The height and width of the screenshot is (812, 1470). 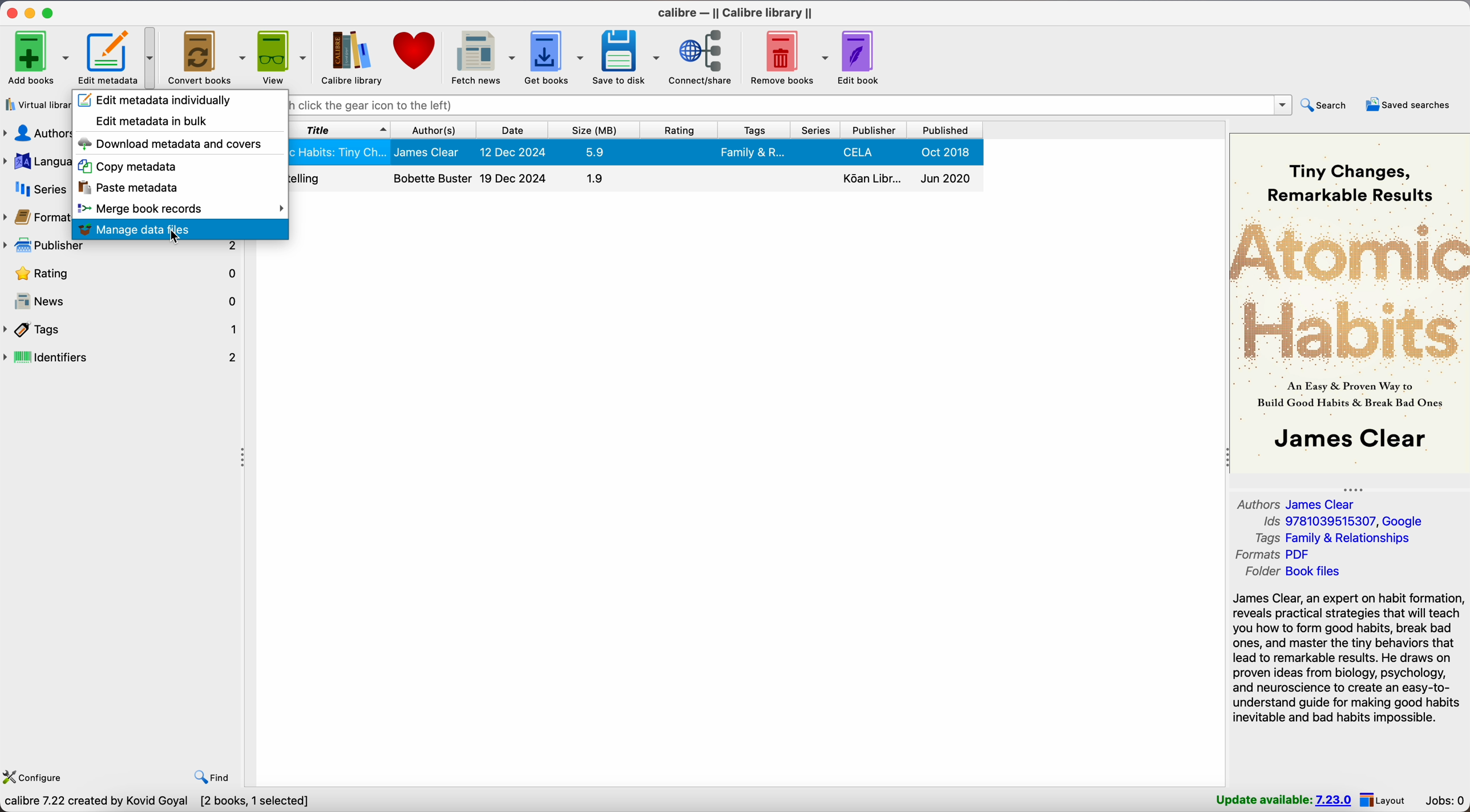 I want to click on book cover preview, so click(x=1350, y=303).